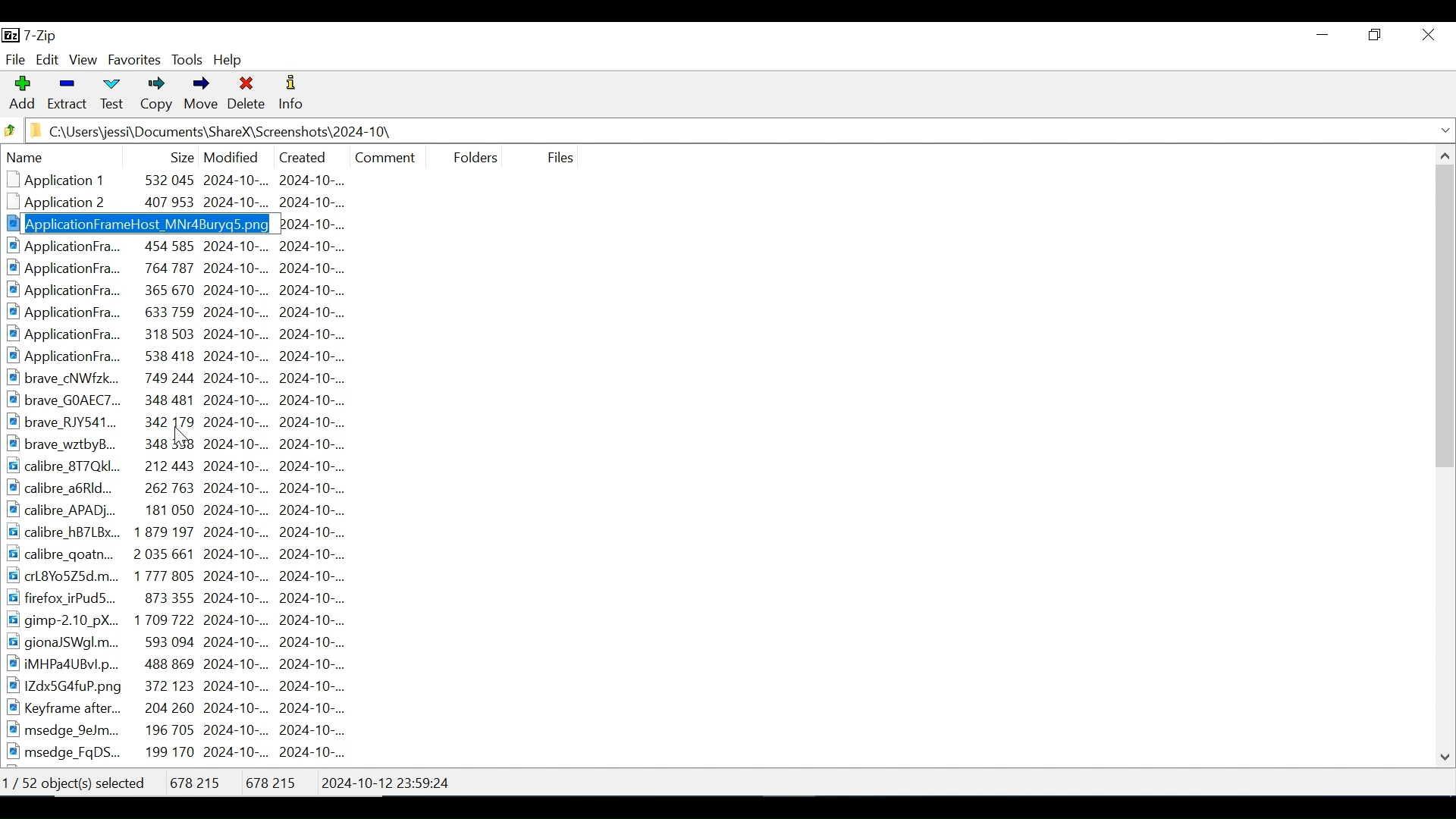 This screenshot has width=1456, height=819. What do you see at coordinates (187, 596) in the screenshot?
I see `firefox irPudS... 873 355 2024-10-.. 2024-10-...` at bounding box center [187, 596].